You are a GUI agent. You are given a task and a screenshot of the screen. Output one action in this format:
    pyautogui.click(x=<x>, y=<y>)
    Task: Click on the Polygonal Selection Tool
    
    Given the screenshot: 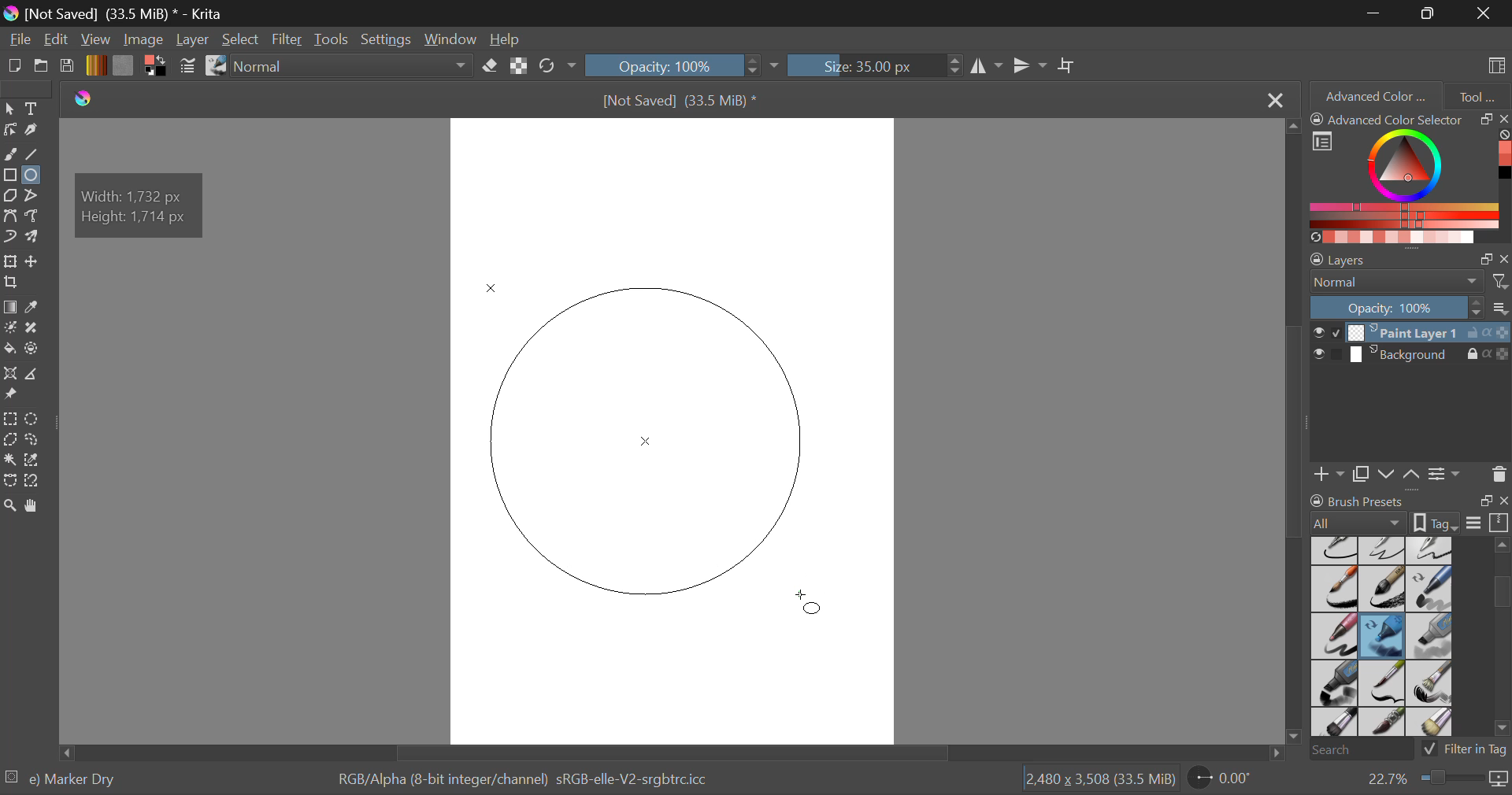 What is the action you would take?
    pyautogui.click(x=10, y=438)
    